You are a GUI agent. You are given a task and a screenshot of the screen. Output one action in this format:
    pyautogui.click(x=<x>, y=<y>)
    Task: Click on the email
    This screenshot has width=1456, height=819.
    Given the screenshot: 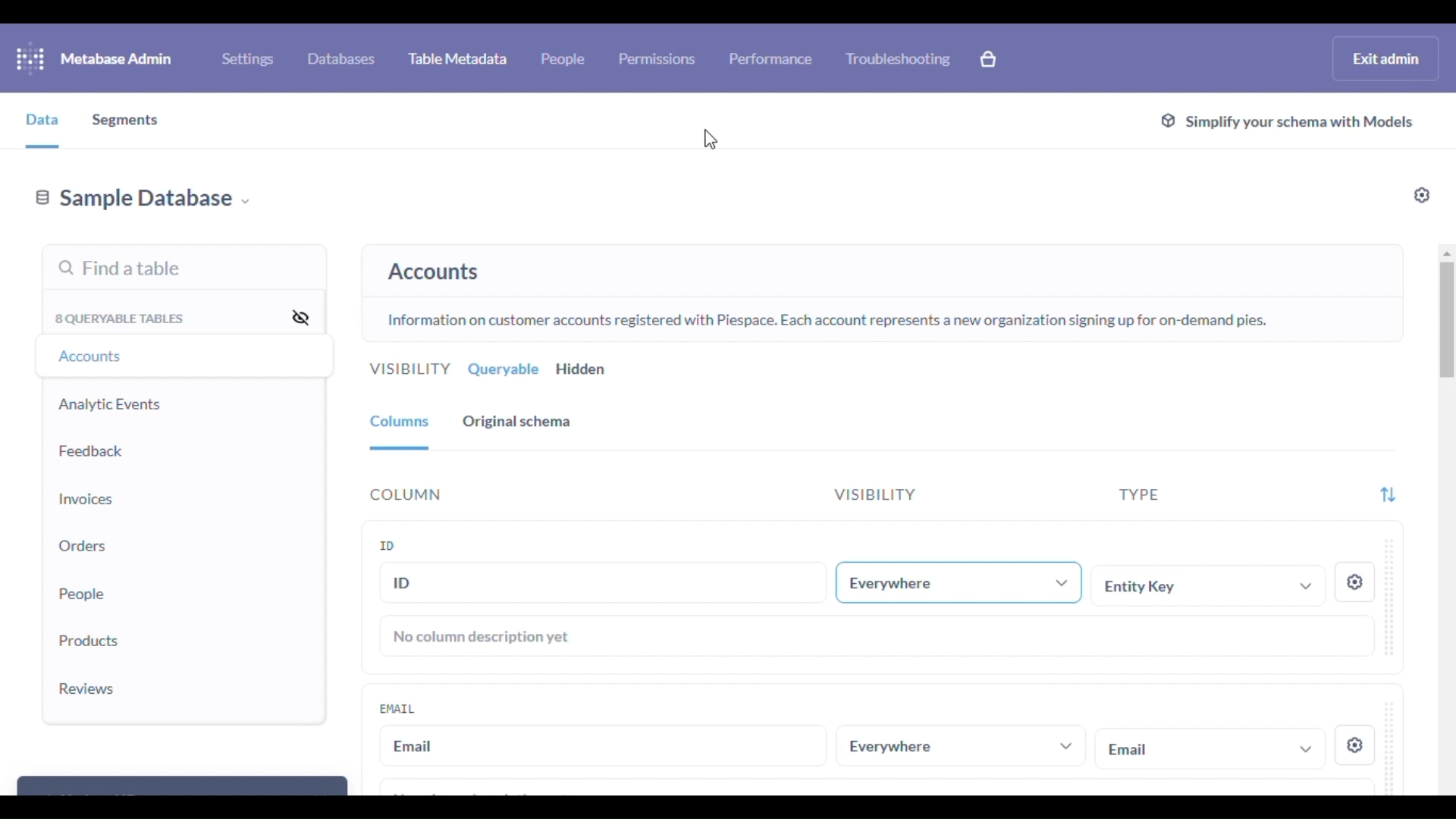 What is the action you would take?
    pyautogui.click(x=1209, y=748)
    